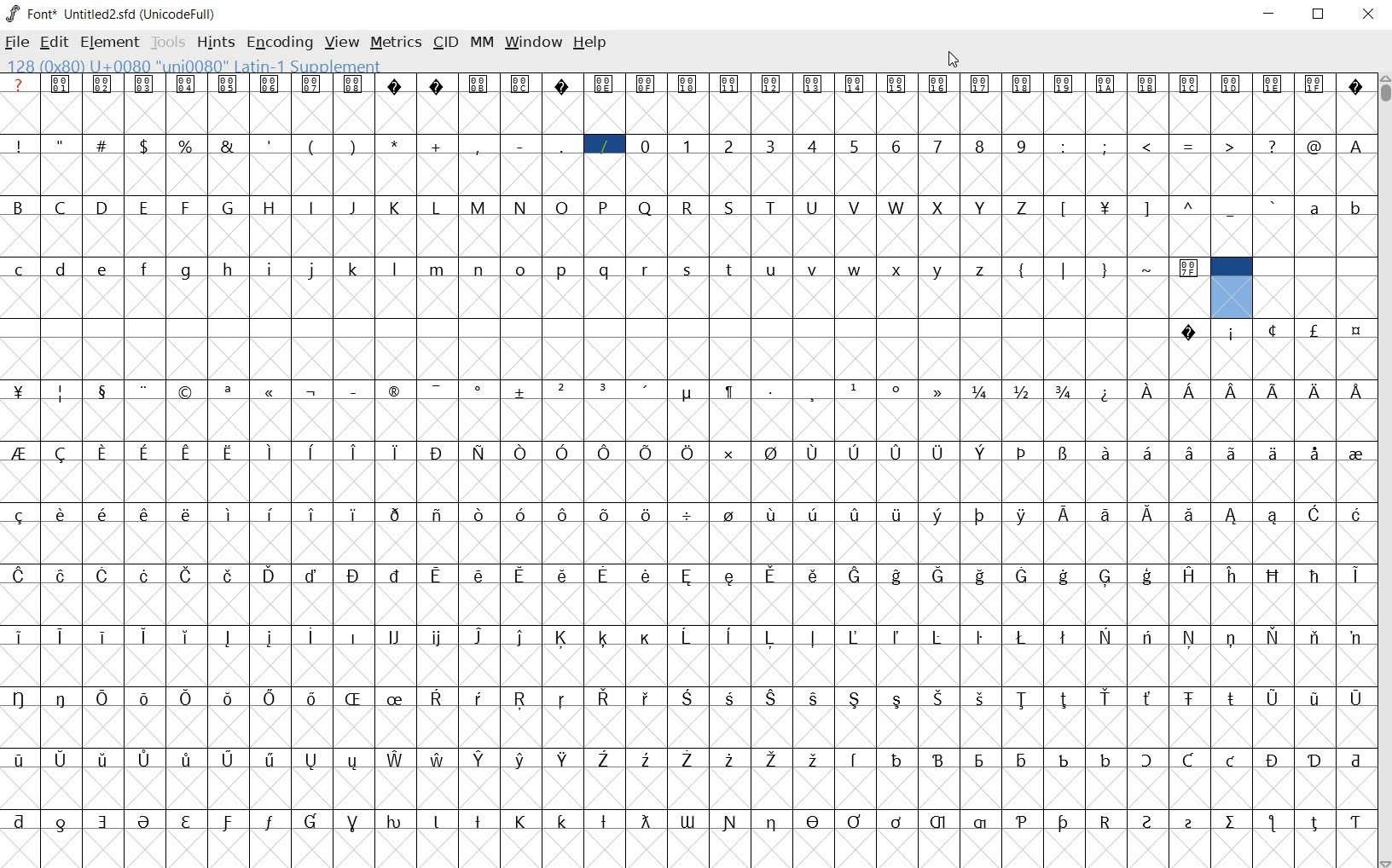  I want to click on mm, so click(482, 43).